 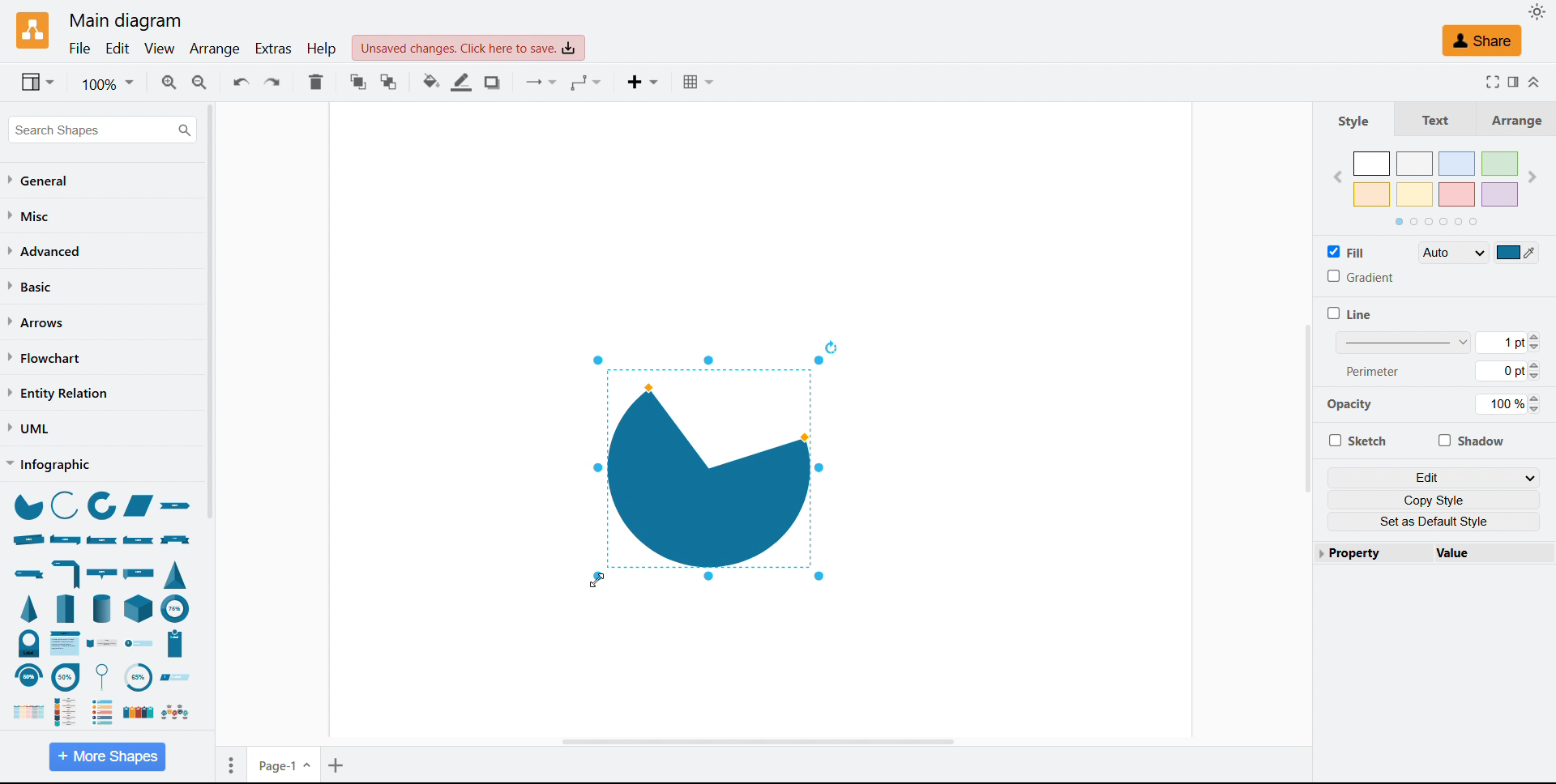 What do you see at coordinates (106, 676) in the screenshot?
I see `circular callout` at bounding box center [106, 676].